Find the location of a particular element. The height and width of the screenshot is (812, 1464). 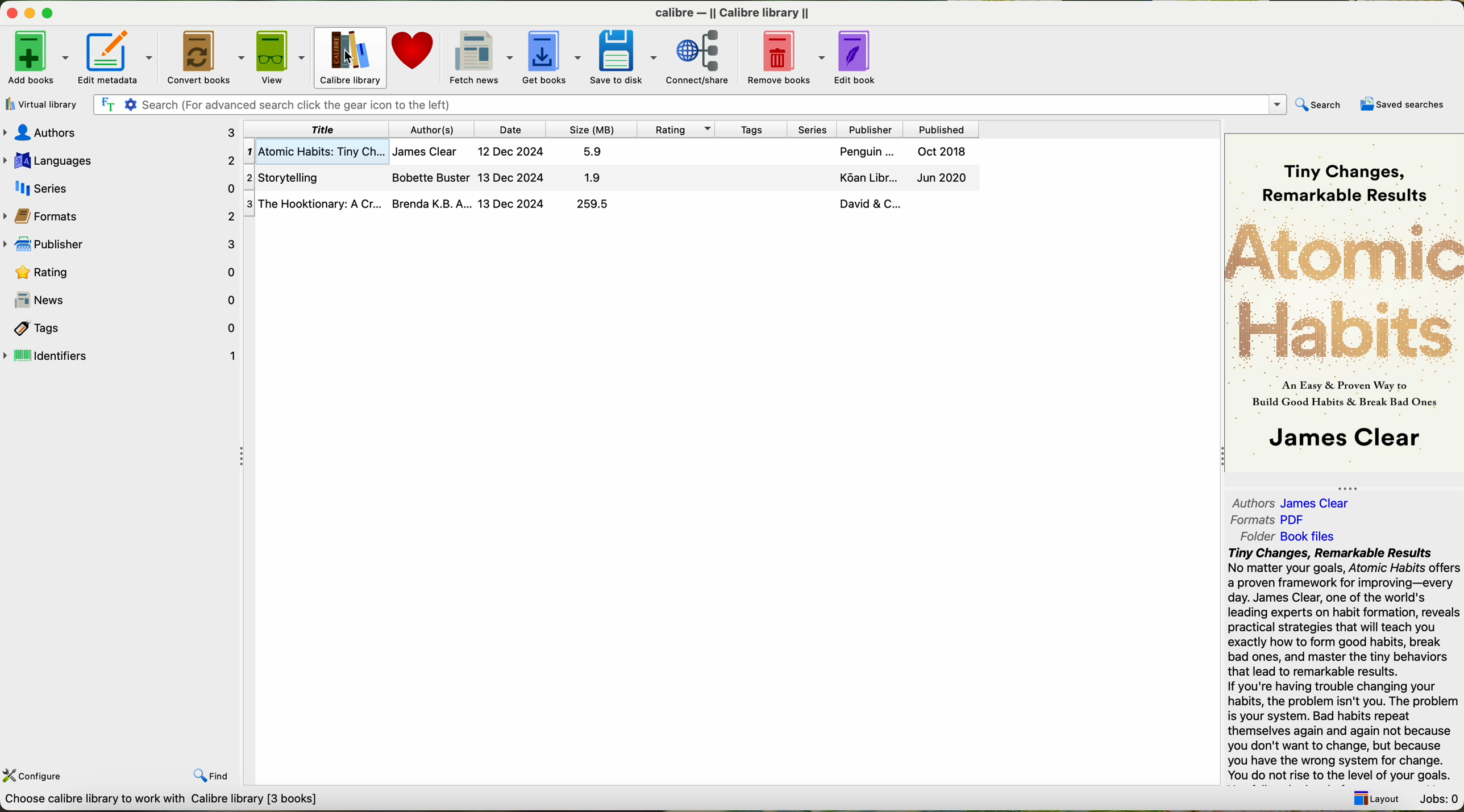

rating is located at coordinates (122, 271).